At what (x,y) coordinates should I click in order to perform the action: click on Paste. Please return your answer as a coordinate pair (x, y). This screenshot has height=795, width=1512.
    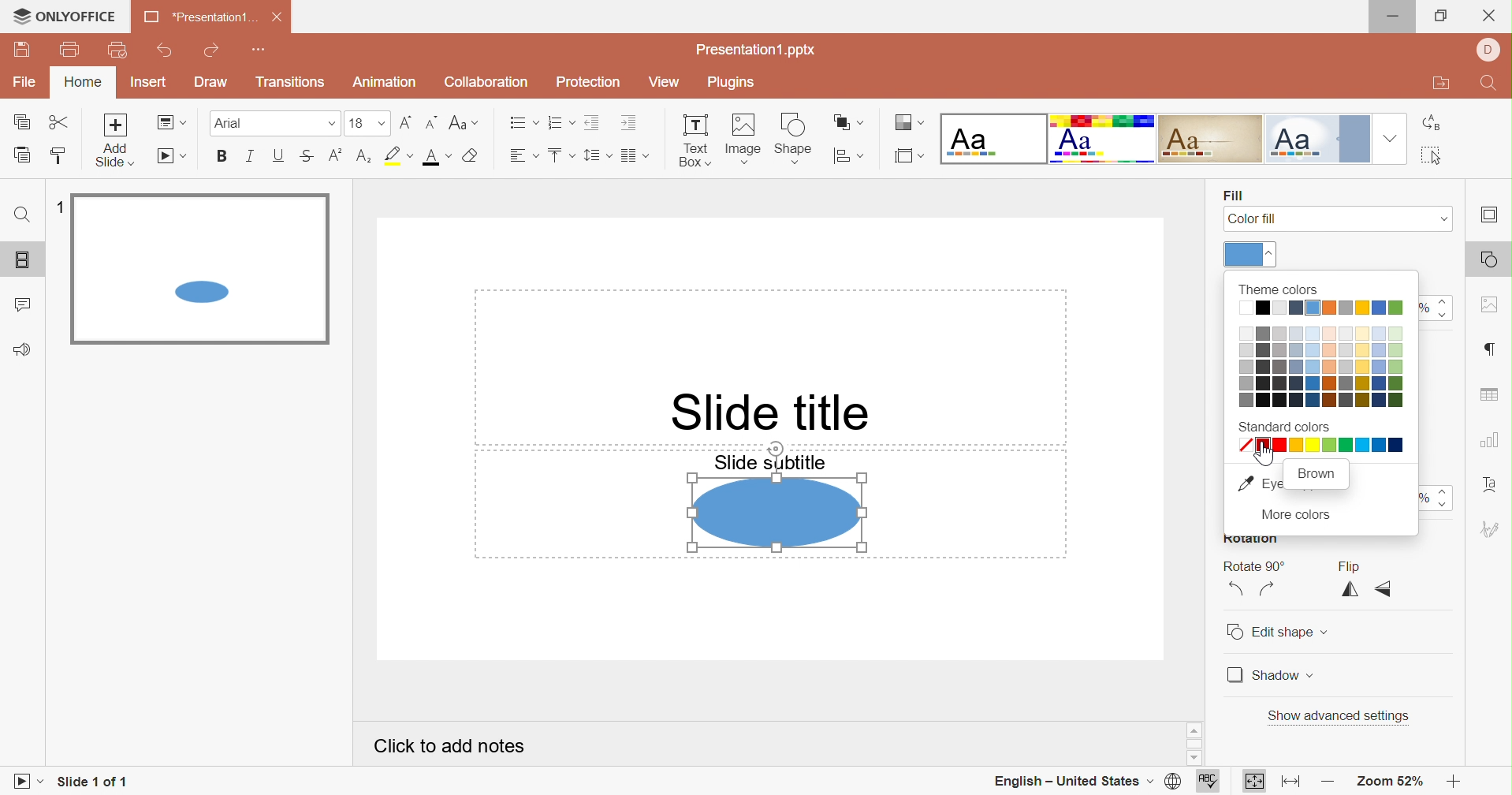
    Looking at the image, I should click on (26, 156).